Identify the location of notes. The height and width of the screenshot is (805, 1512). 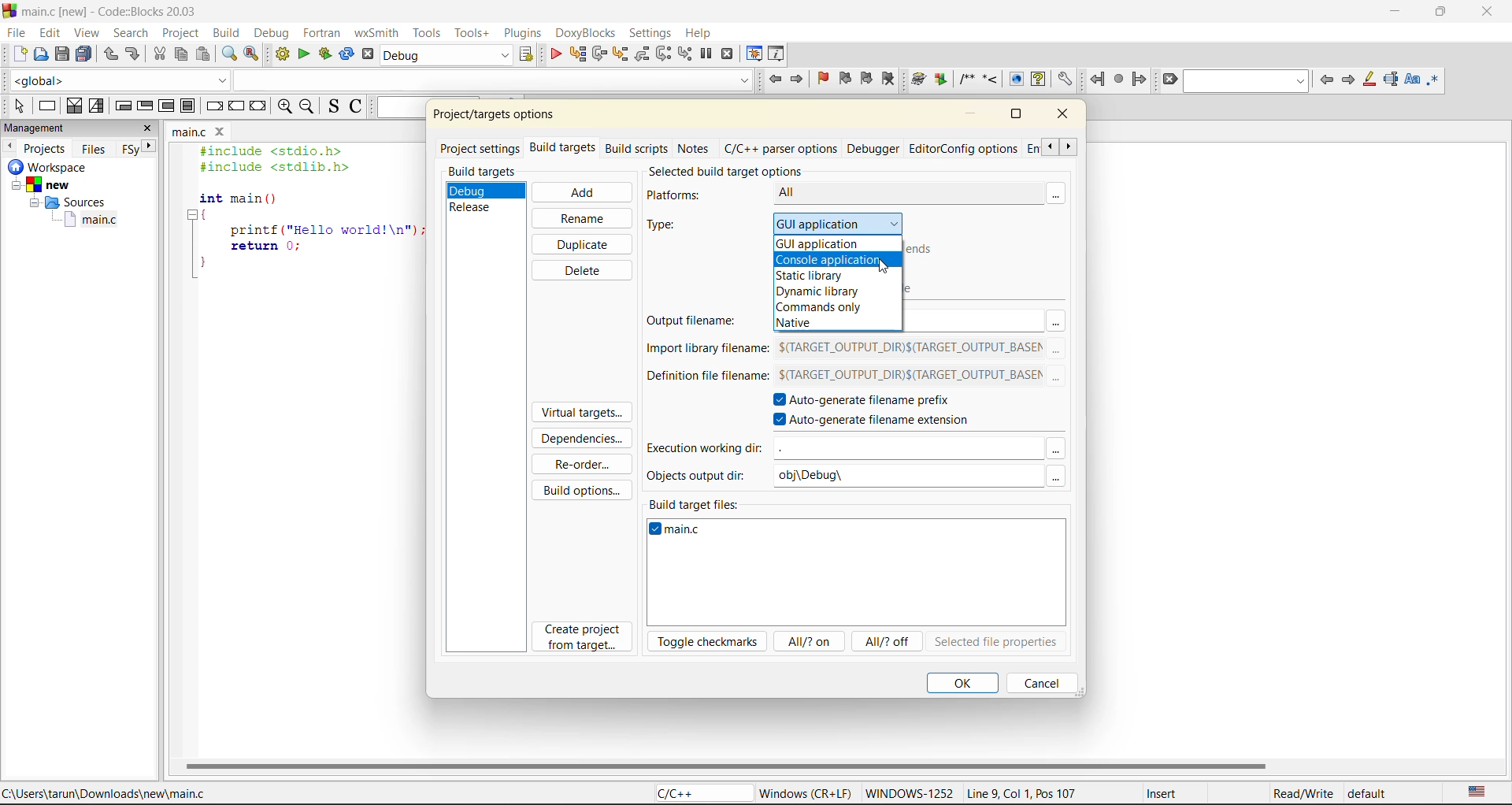
(695, 147).